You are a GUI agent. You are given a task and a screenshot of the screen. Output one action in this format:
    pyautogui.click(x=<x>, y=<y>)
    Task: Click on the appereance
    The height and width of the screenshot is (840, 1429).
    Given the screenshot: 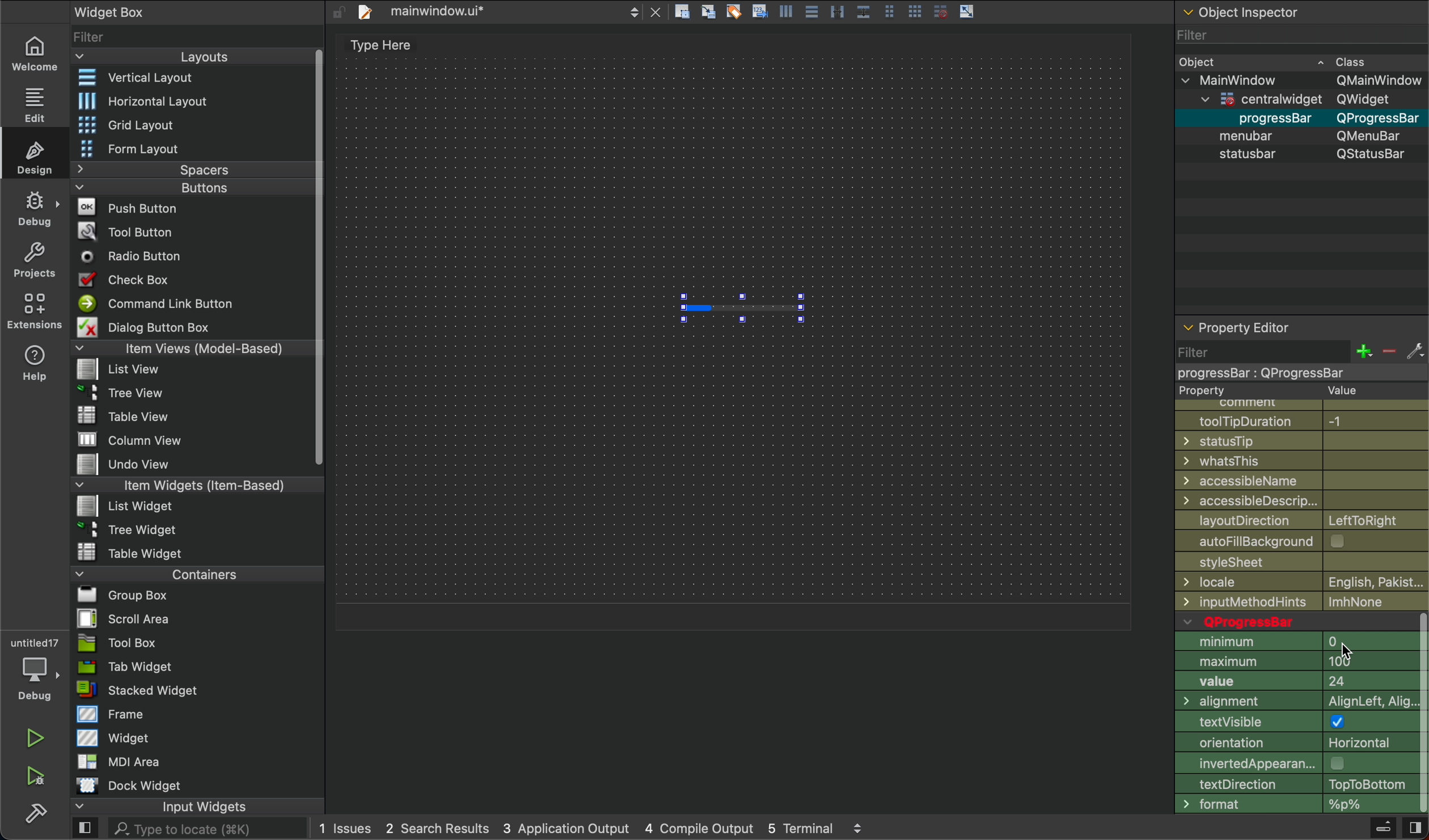 What is the action you would take?
    pyautogui.click(x=1293, y=763)
    